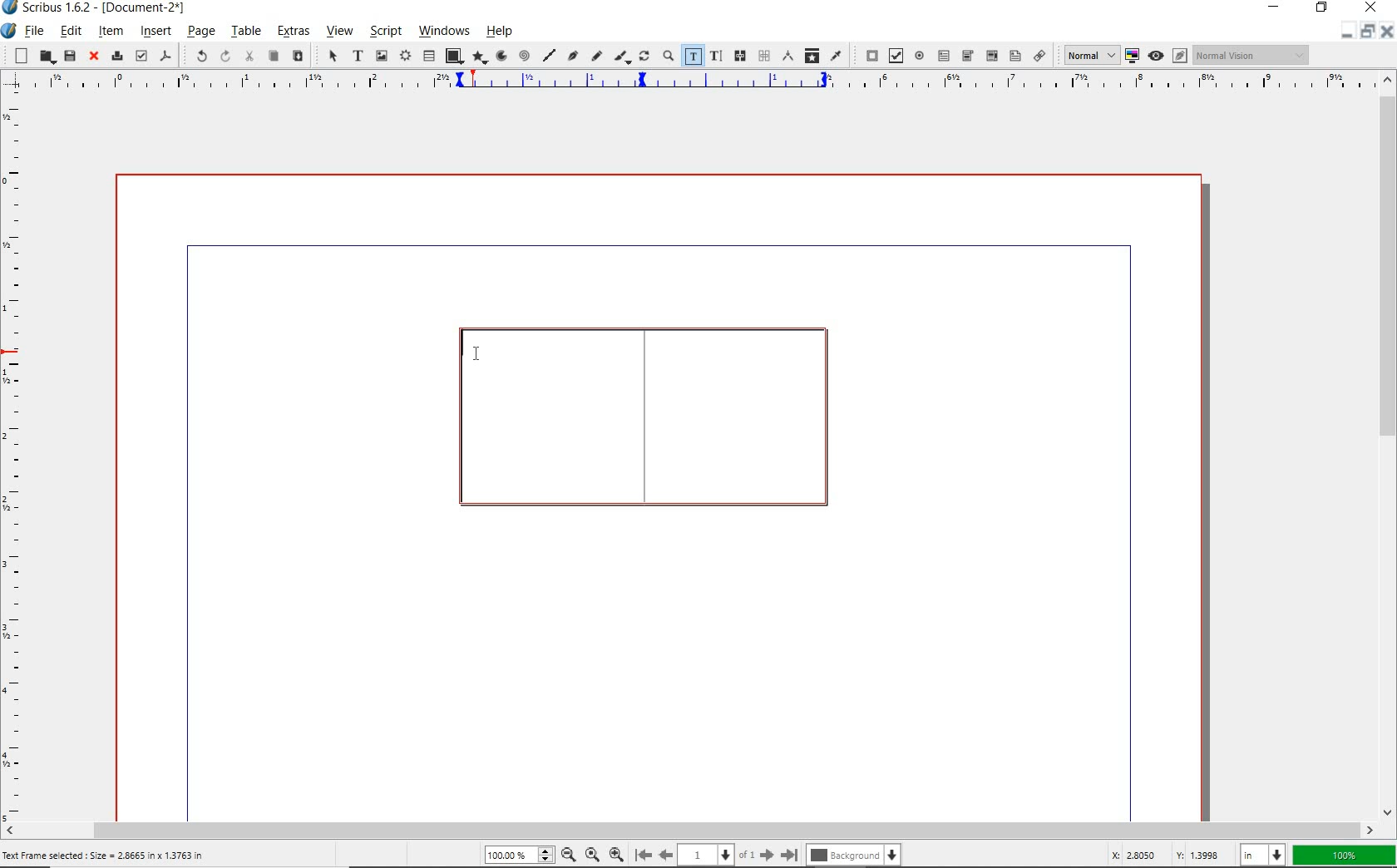 Image resolution: width=1397 pixels, height=868 pixels. I want to click on table, so click(429, 55).